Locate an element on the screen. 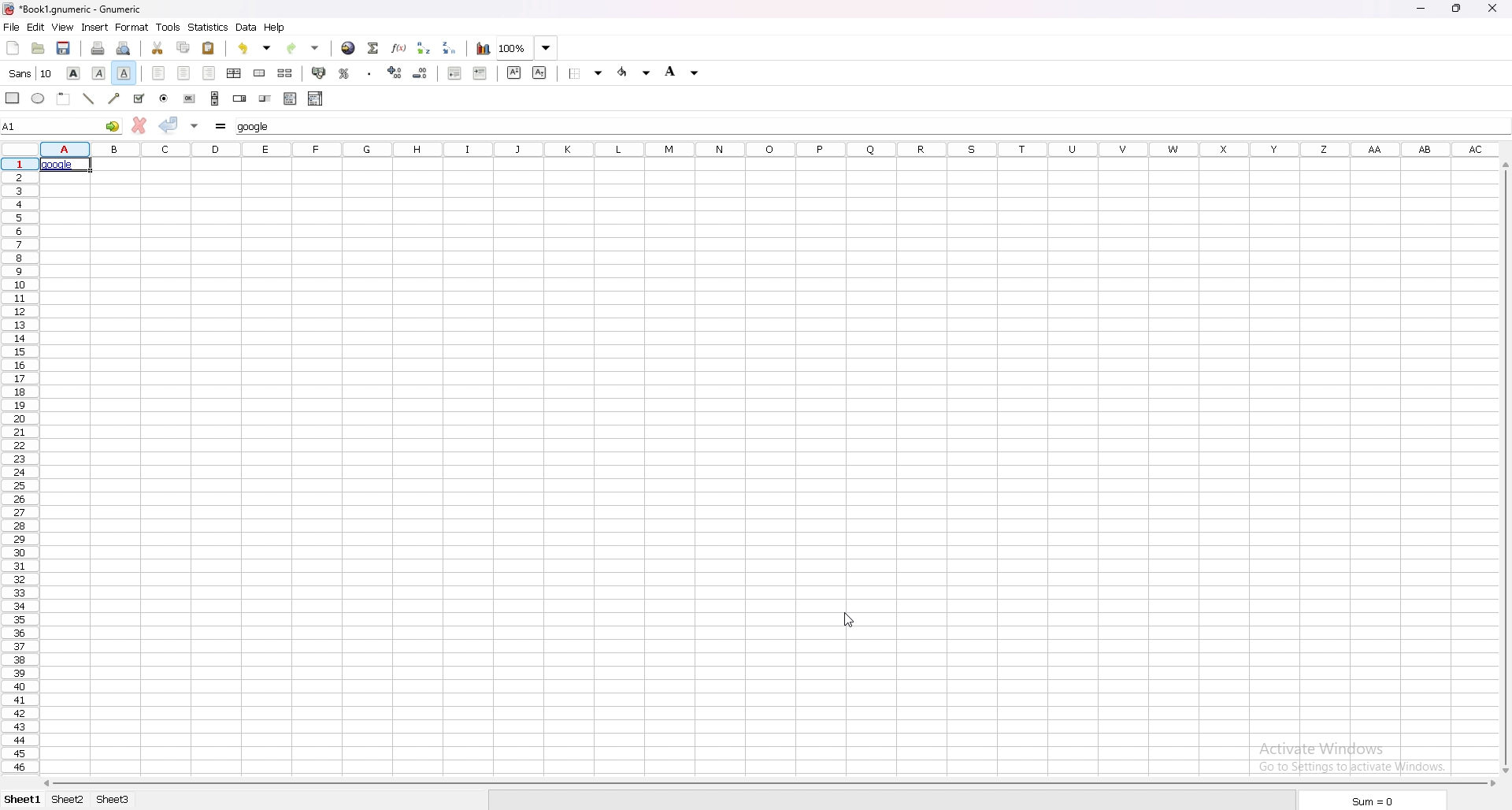 This screenshot has width=1512, height=810. help is located at coordinates (276, 27).